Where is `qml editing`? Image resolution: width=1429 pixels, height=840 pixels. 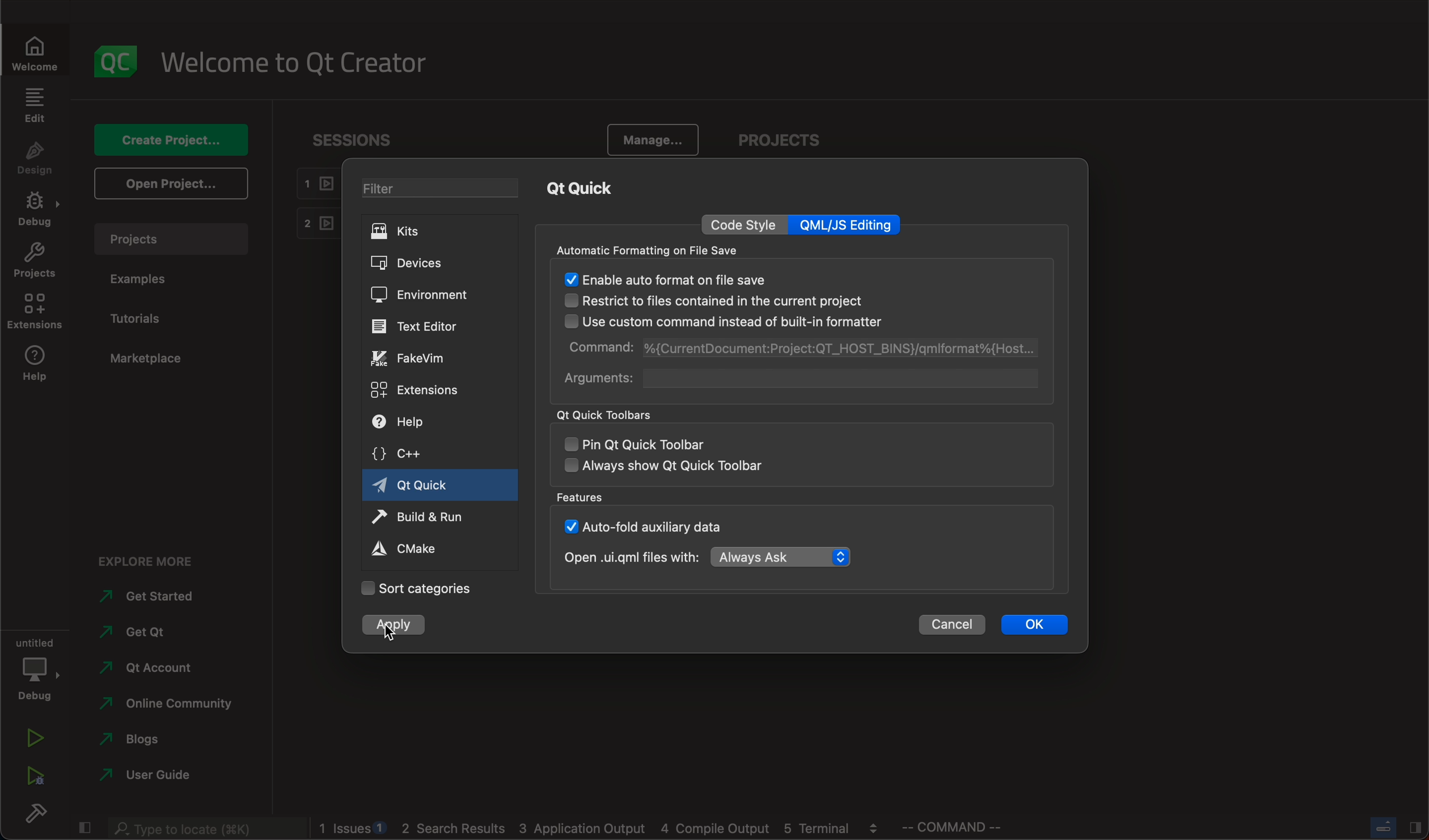 qml editing is located at coordinates (842, 224).